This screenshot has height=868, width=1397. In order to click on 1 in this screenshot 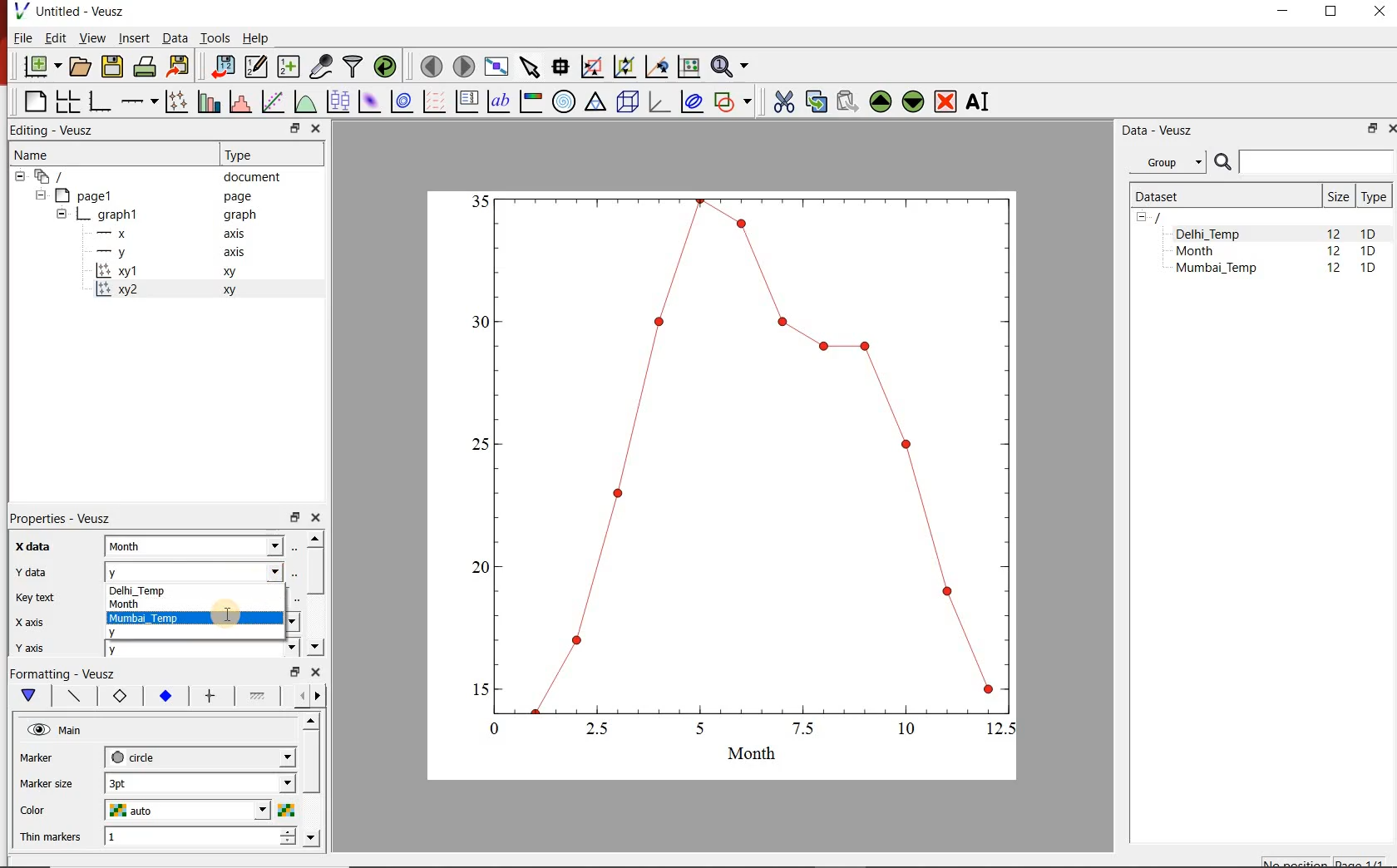, I will do `click(200, 838)`.